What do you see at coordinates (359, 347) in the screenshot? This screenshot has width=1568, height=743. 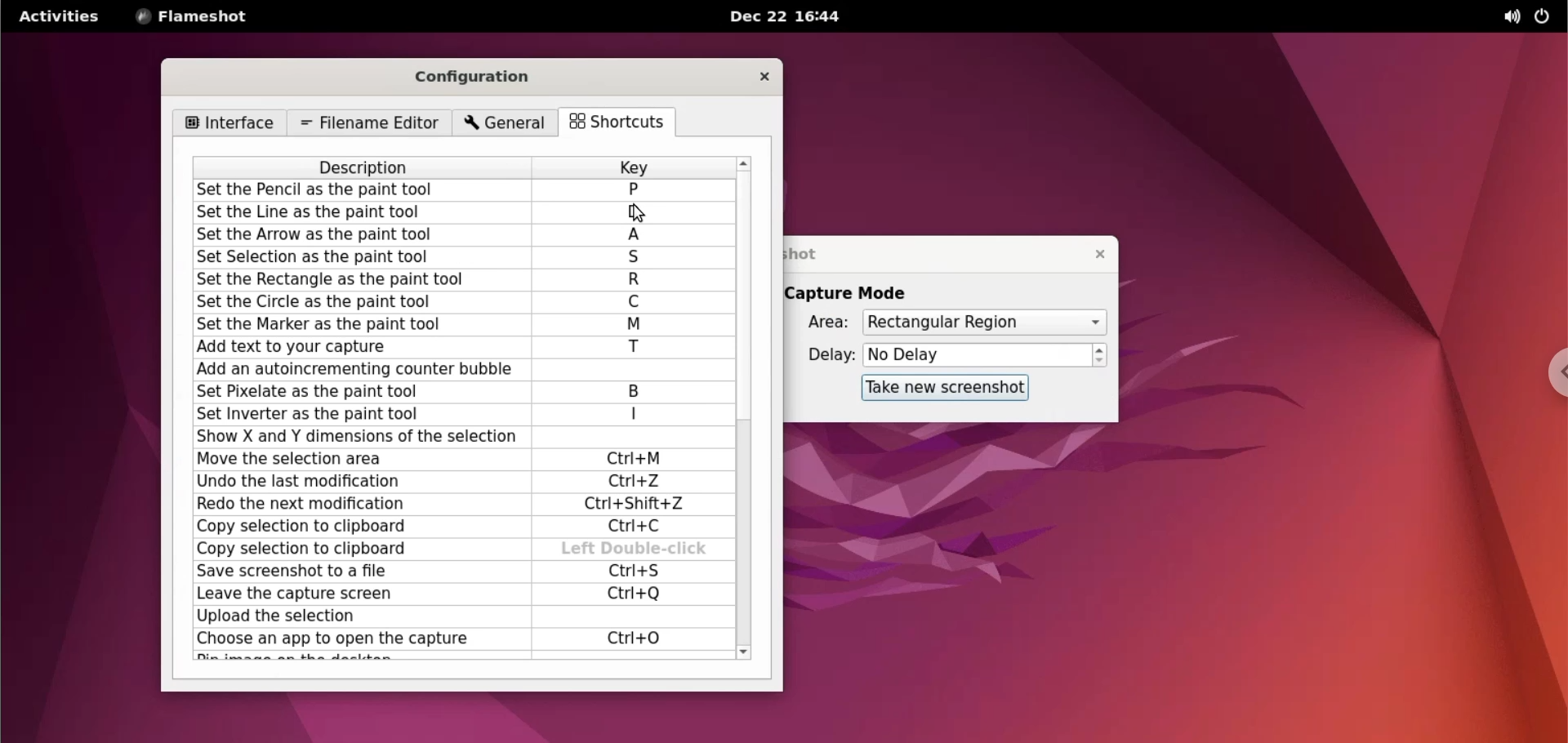 I see `add text to your capture` at bounding box center [359, 347].